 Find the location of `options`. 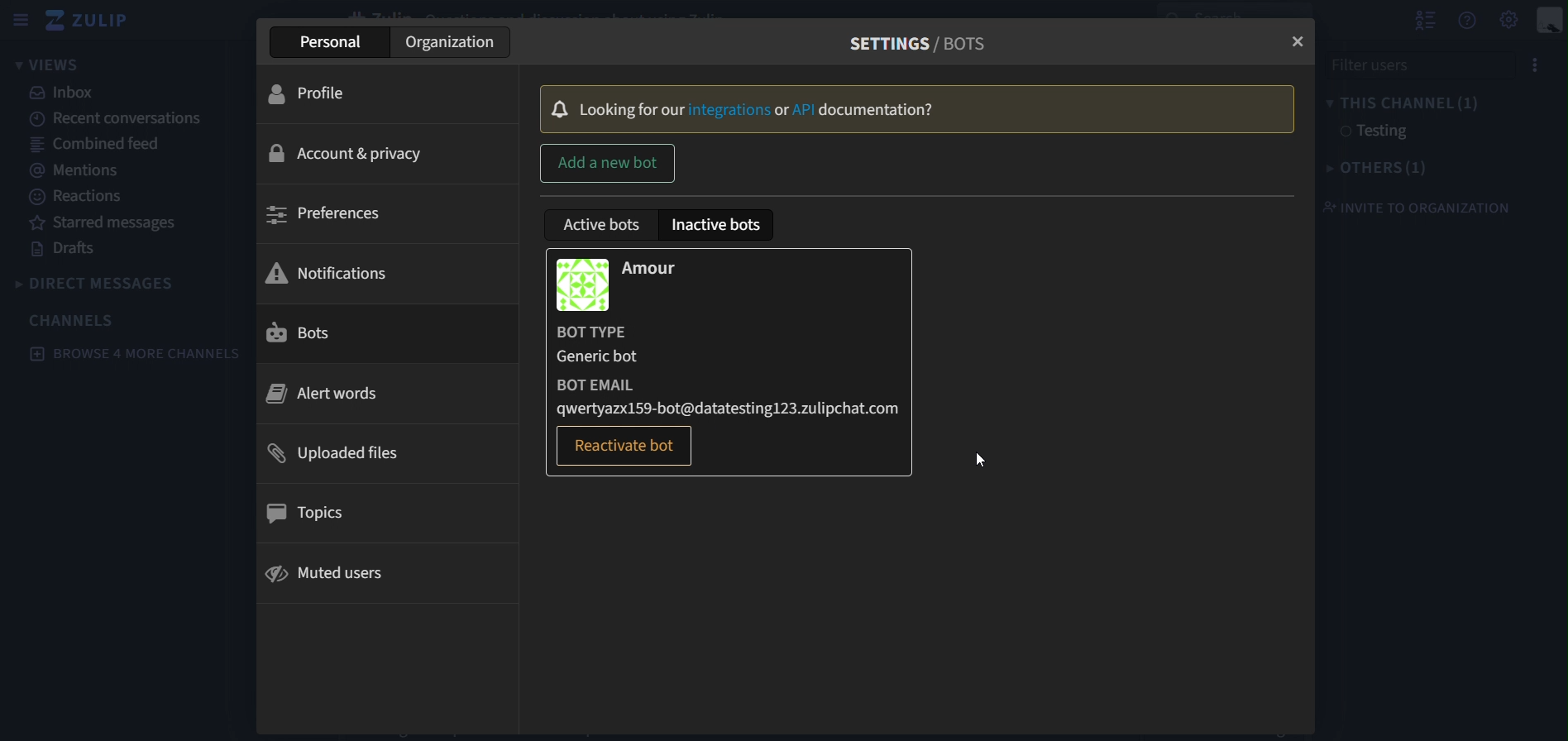

options is located at coordinates (1530, 66).